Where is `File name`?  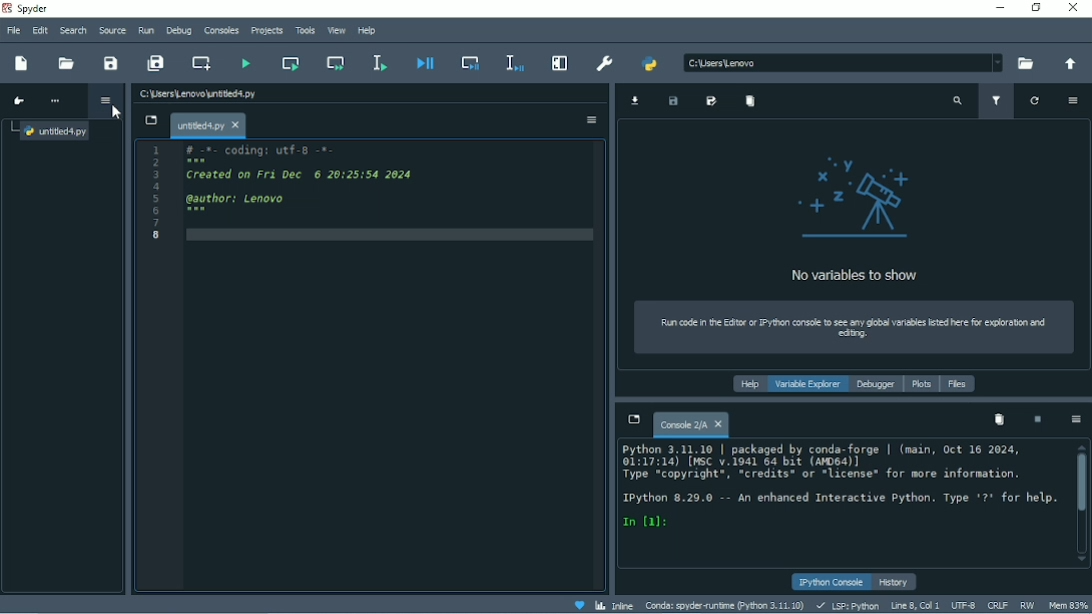 File name is located at coordinates (199, 92).